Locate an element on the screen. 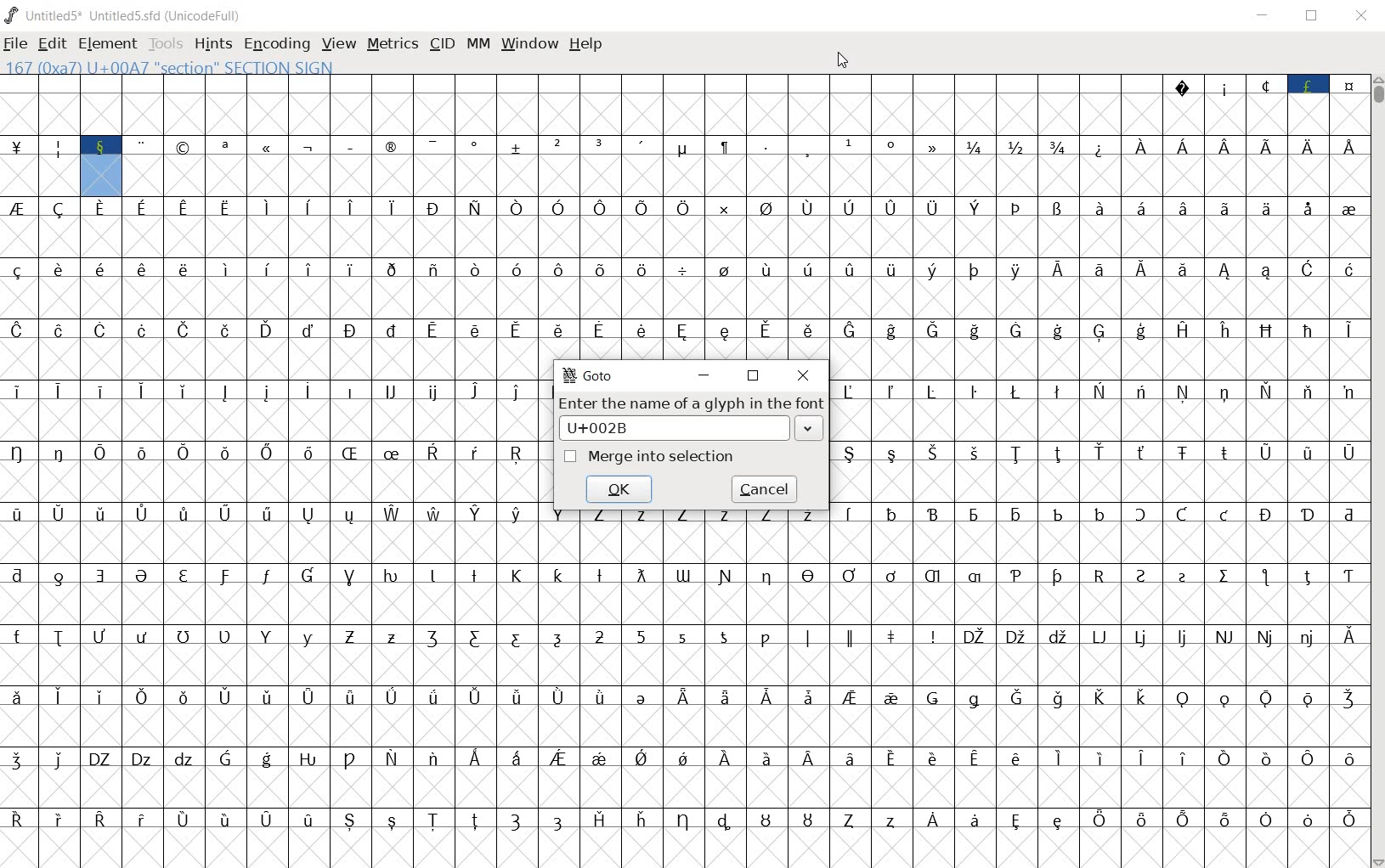 The image size is (1385, 868). special alphabets is located at coordinates (682, 595).